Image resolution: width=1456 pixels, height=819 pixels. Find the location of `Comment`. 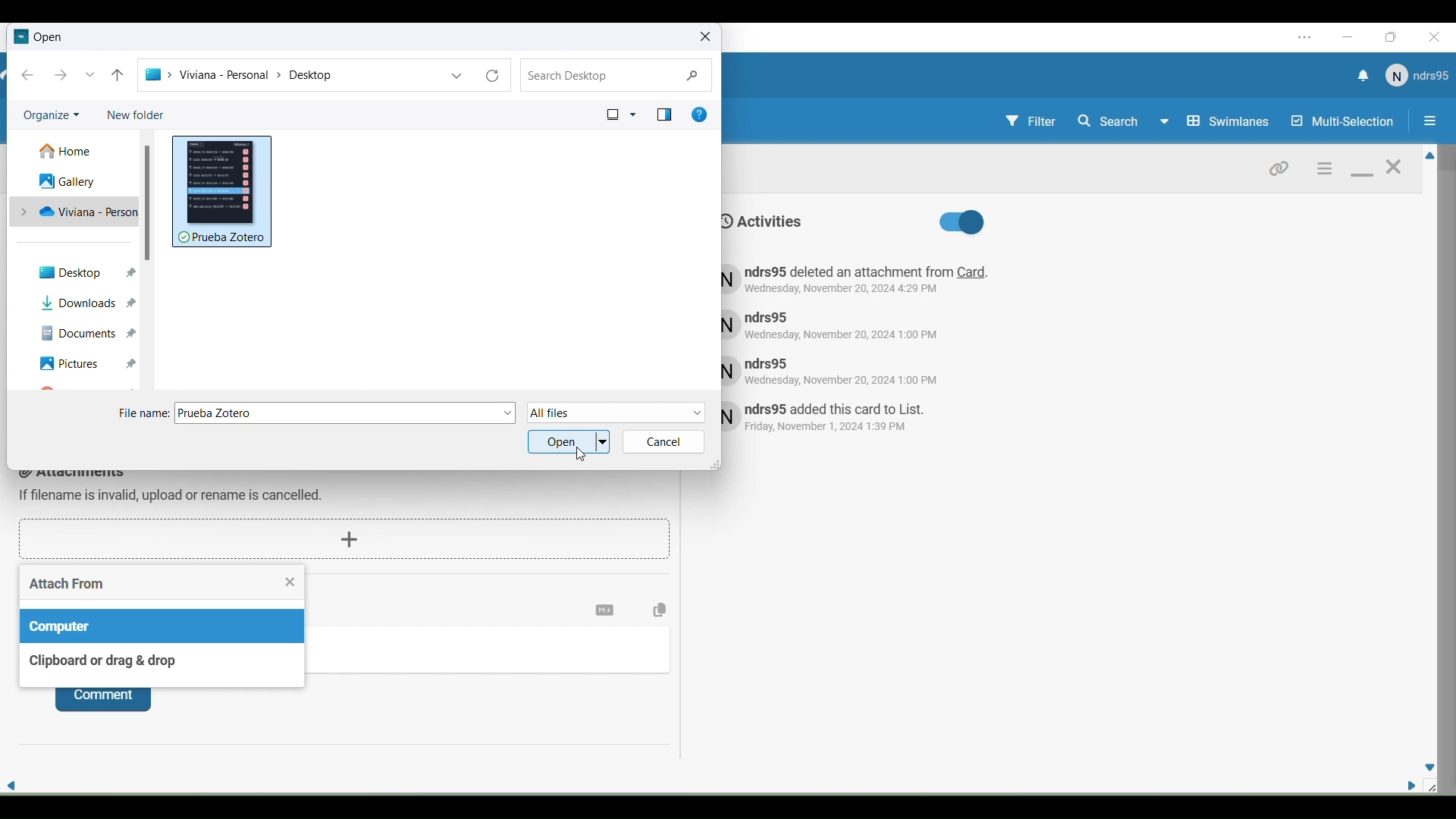

Comment is located at coordinates (102, 701).